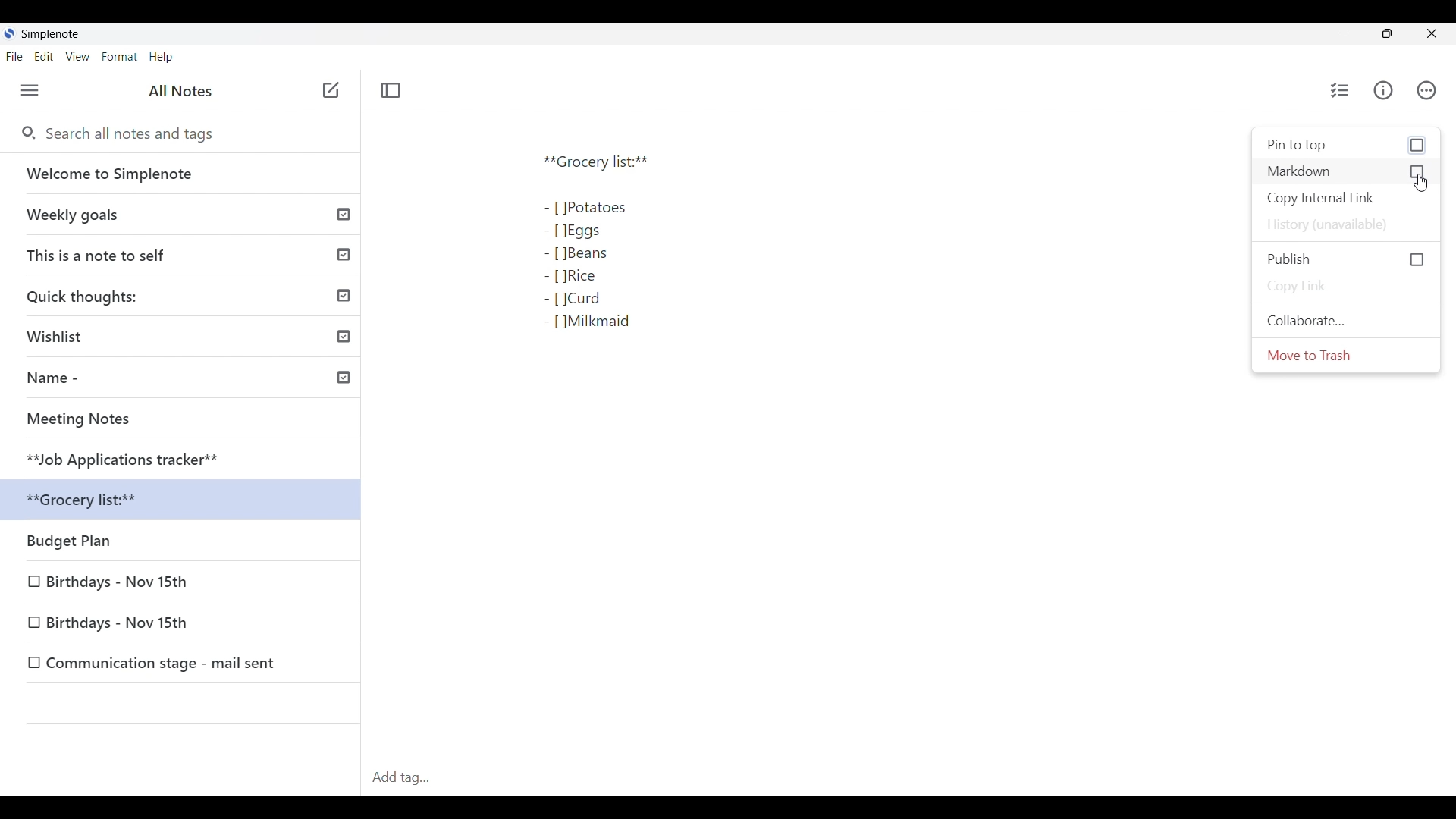  What do you see at coordinates (187, 216) in the screenshot?
I see `Weekly goals` at bounding box center [187, 216].